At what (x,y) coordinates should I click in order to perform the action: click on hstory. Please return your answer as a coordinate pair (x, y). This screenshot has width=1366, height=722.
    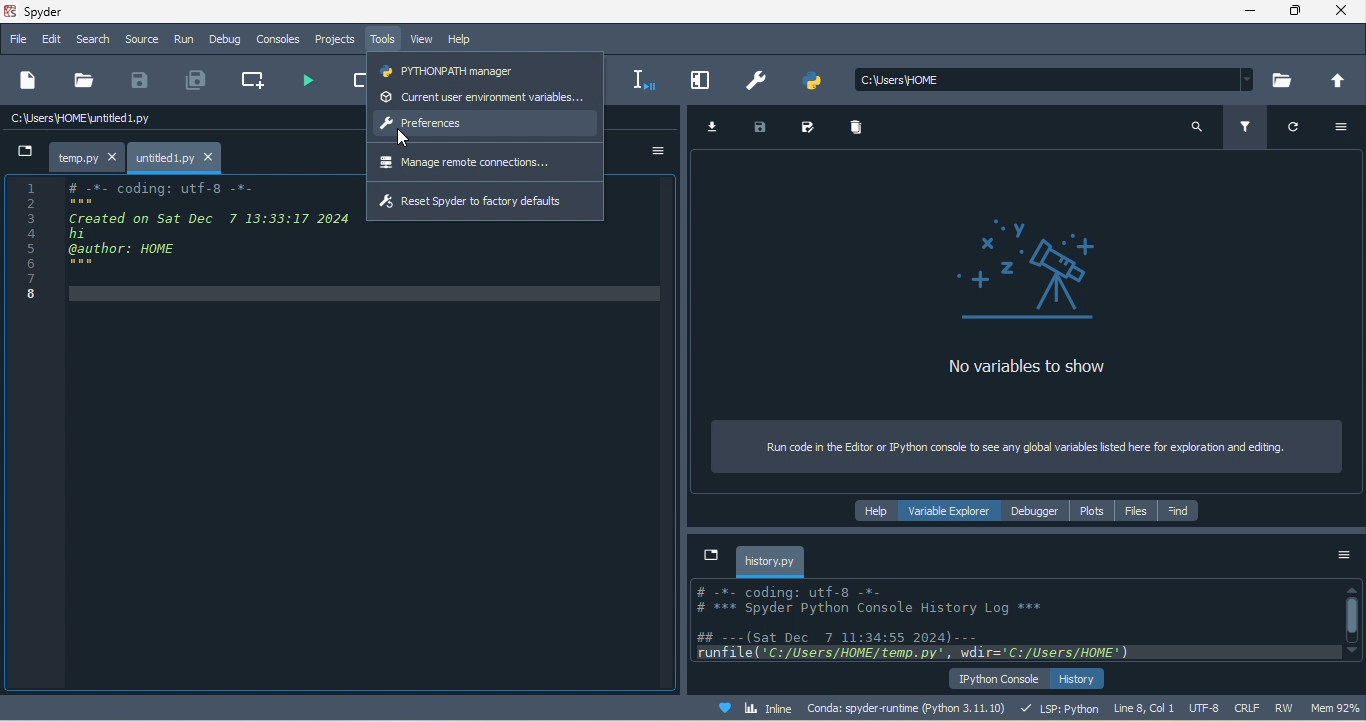
    Looking at the image, I should click on (1079, 678).